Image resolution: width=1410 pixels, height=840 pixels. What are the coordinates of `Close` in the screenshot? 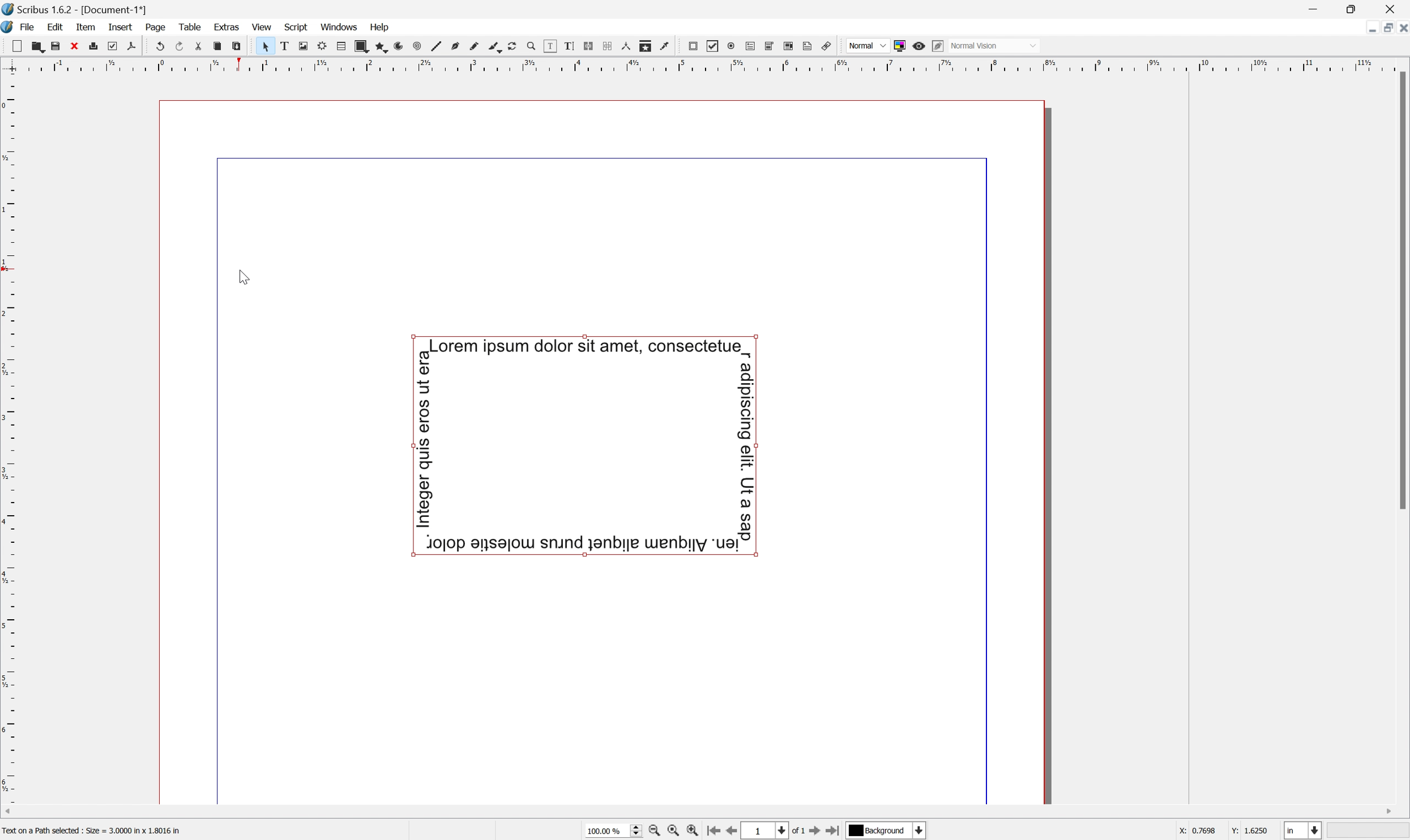 It's located at (1401, 27).